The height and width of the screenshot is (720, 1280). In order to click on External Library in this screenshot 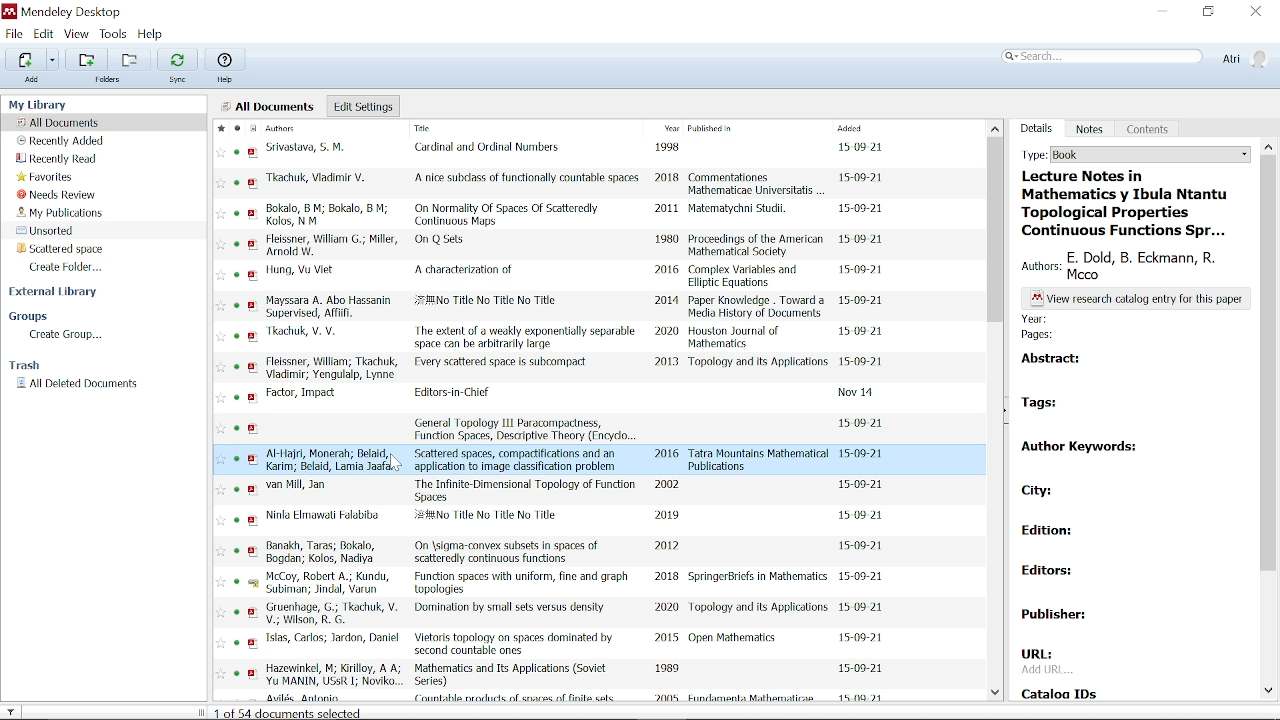, I will do `click(56, 293)`.